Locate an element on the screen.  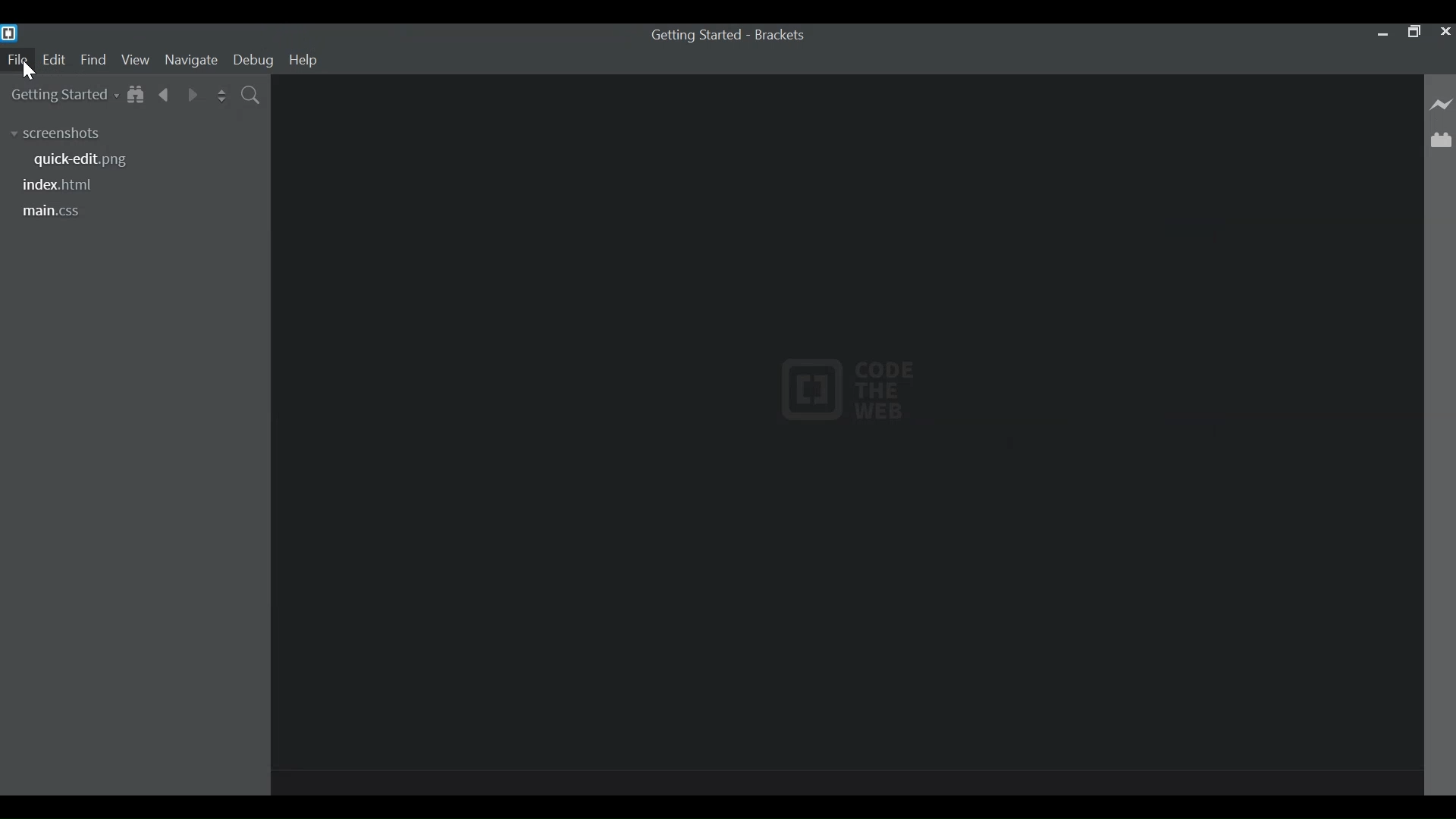
Find In Files is located at coordinates (253, 96).